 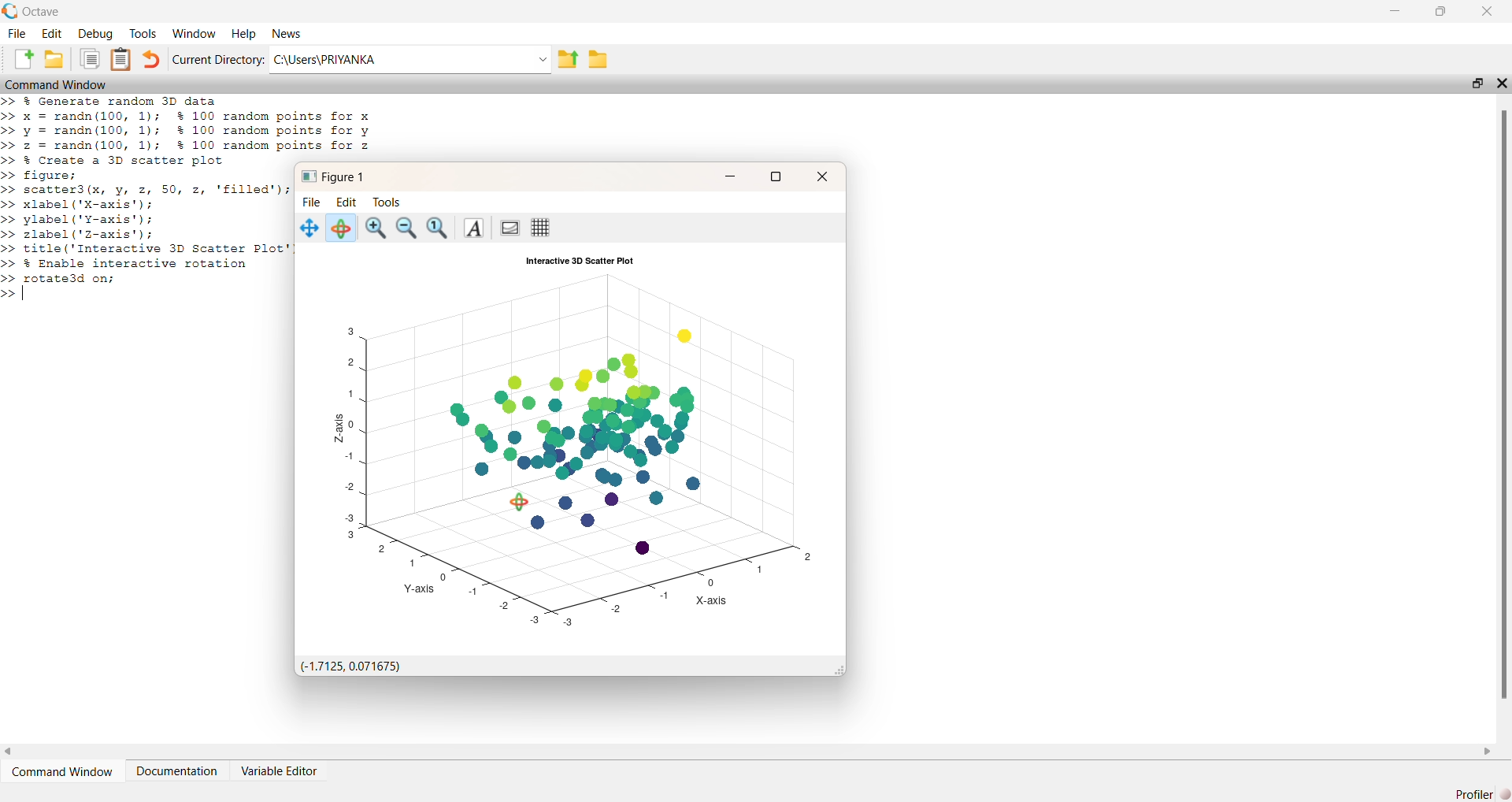 What do you see at coordinates (439, 228) in the screenshot?
I see `reset zoom` at bounding box center [439, 228].